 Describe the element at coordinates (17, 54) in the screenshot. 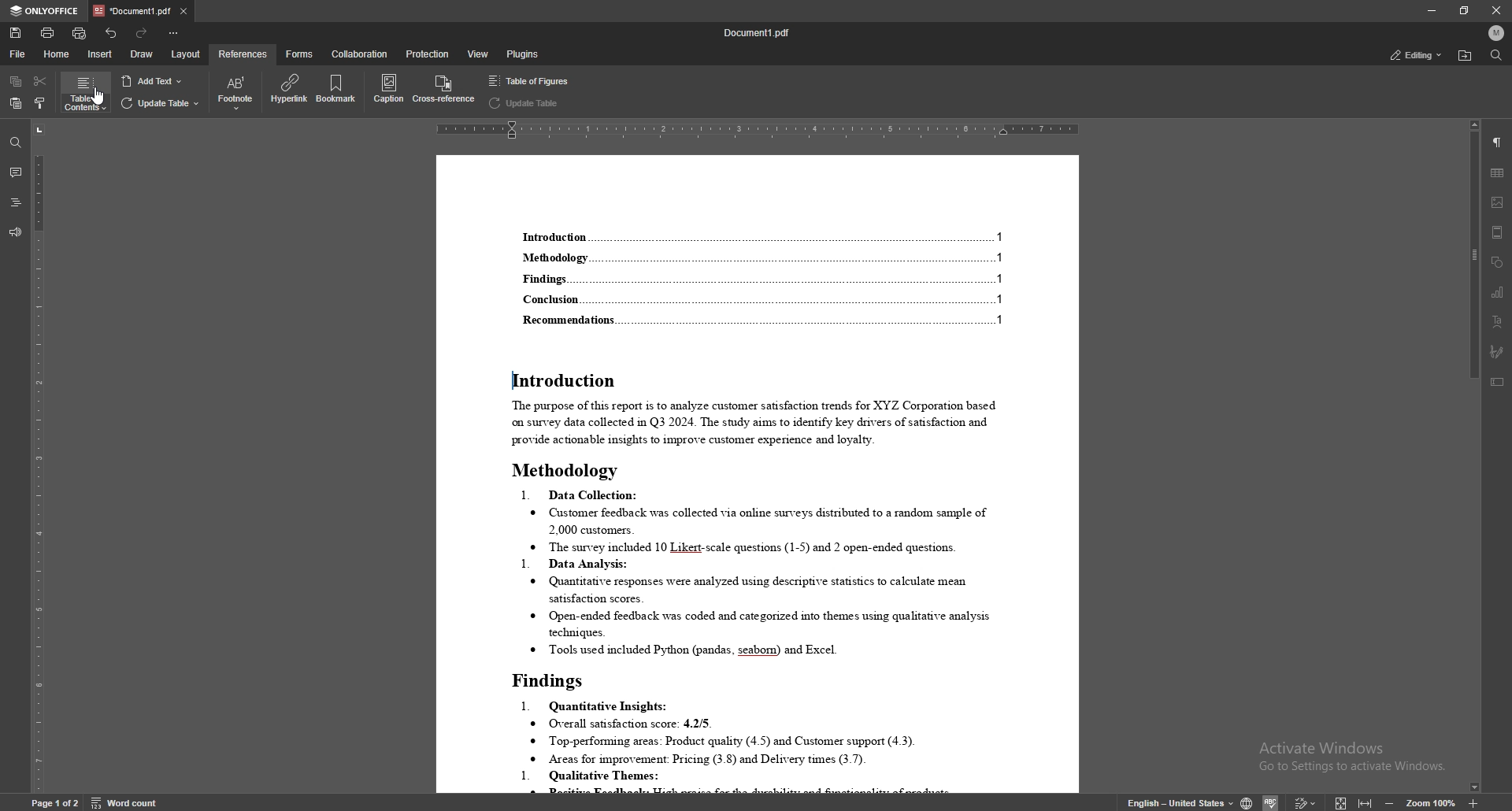

I see `file` at that location.